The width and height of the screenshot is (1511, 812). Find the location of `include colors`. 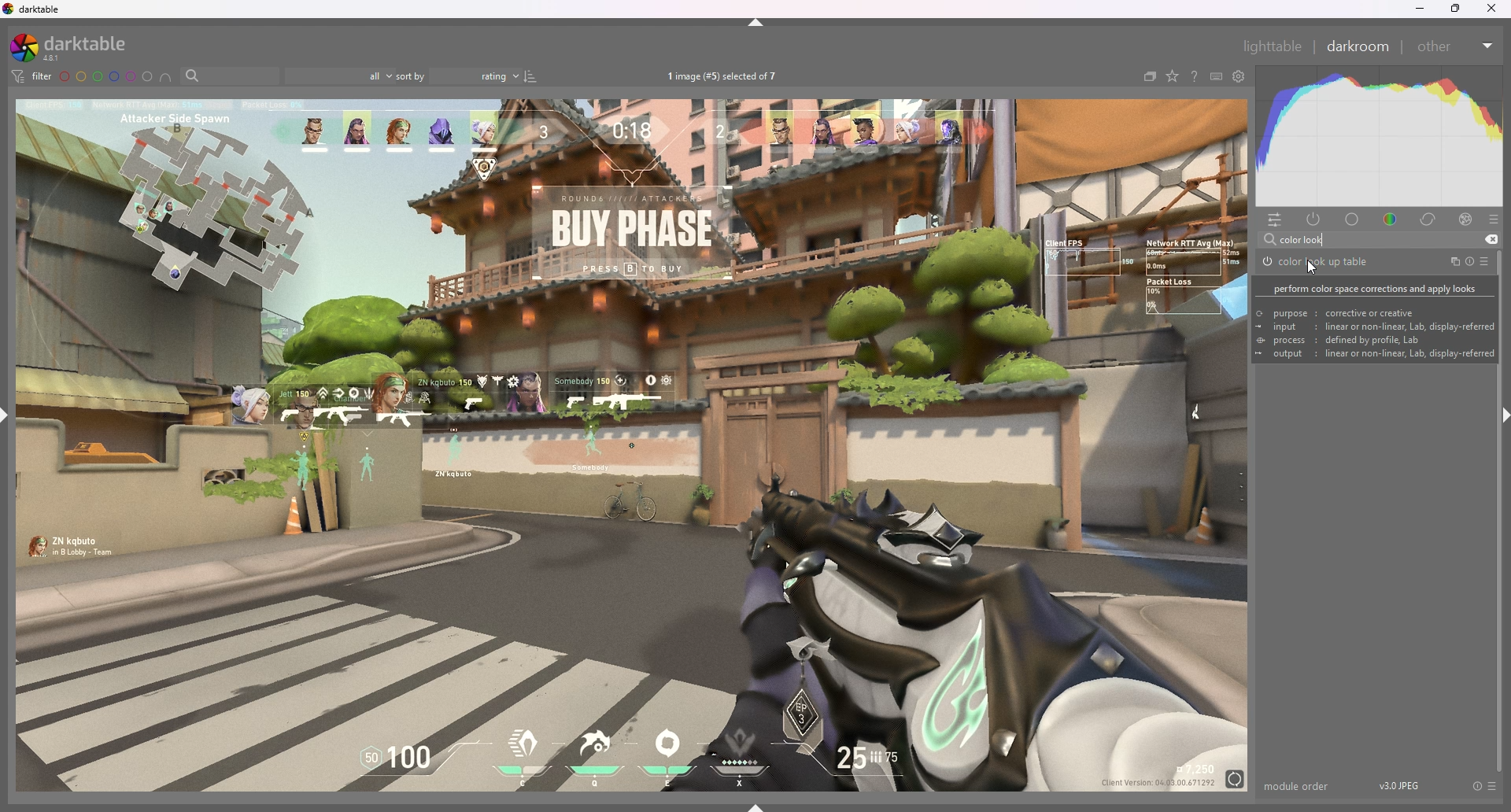

include colors is located at coordinates (165, 78).